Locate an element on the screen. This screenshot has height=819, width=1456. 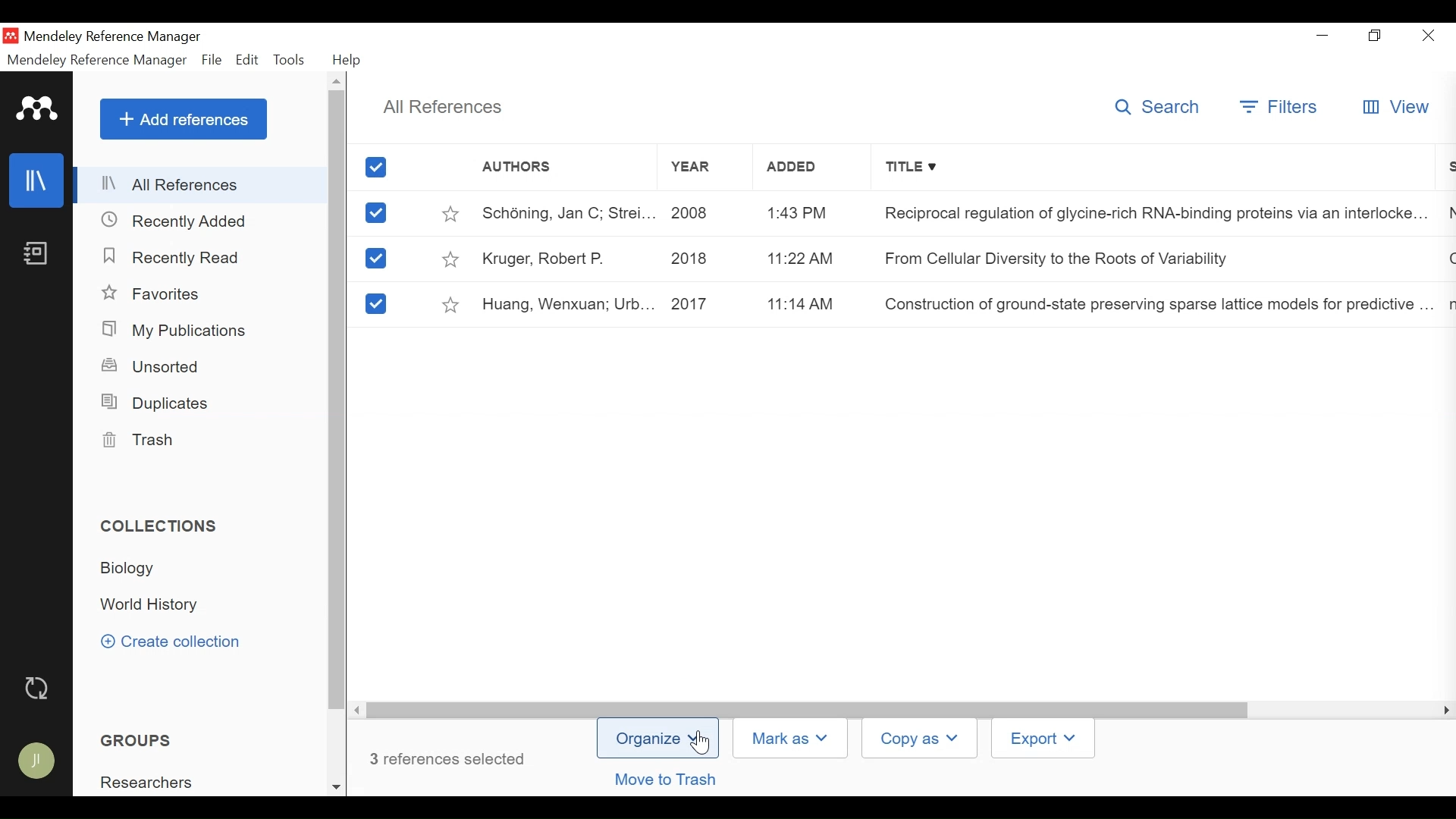
Mendeley Logo is located at coordinates (37, 111).